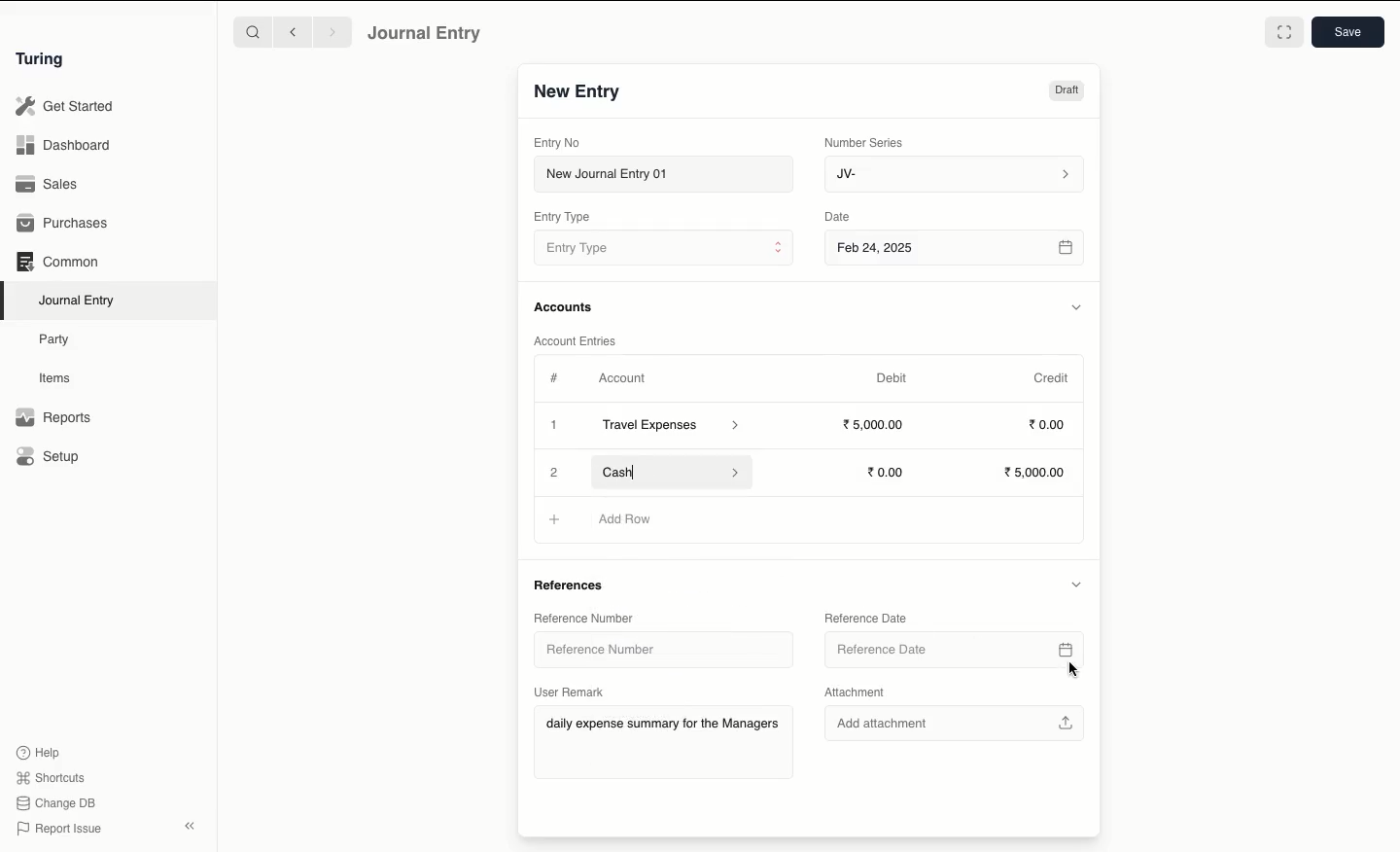 The width and height of the screenshot is (1400, 852). I want to click on Save, so click(1348, 32).